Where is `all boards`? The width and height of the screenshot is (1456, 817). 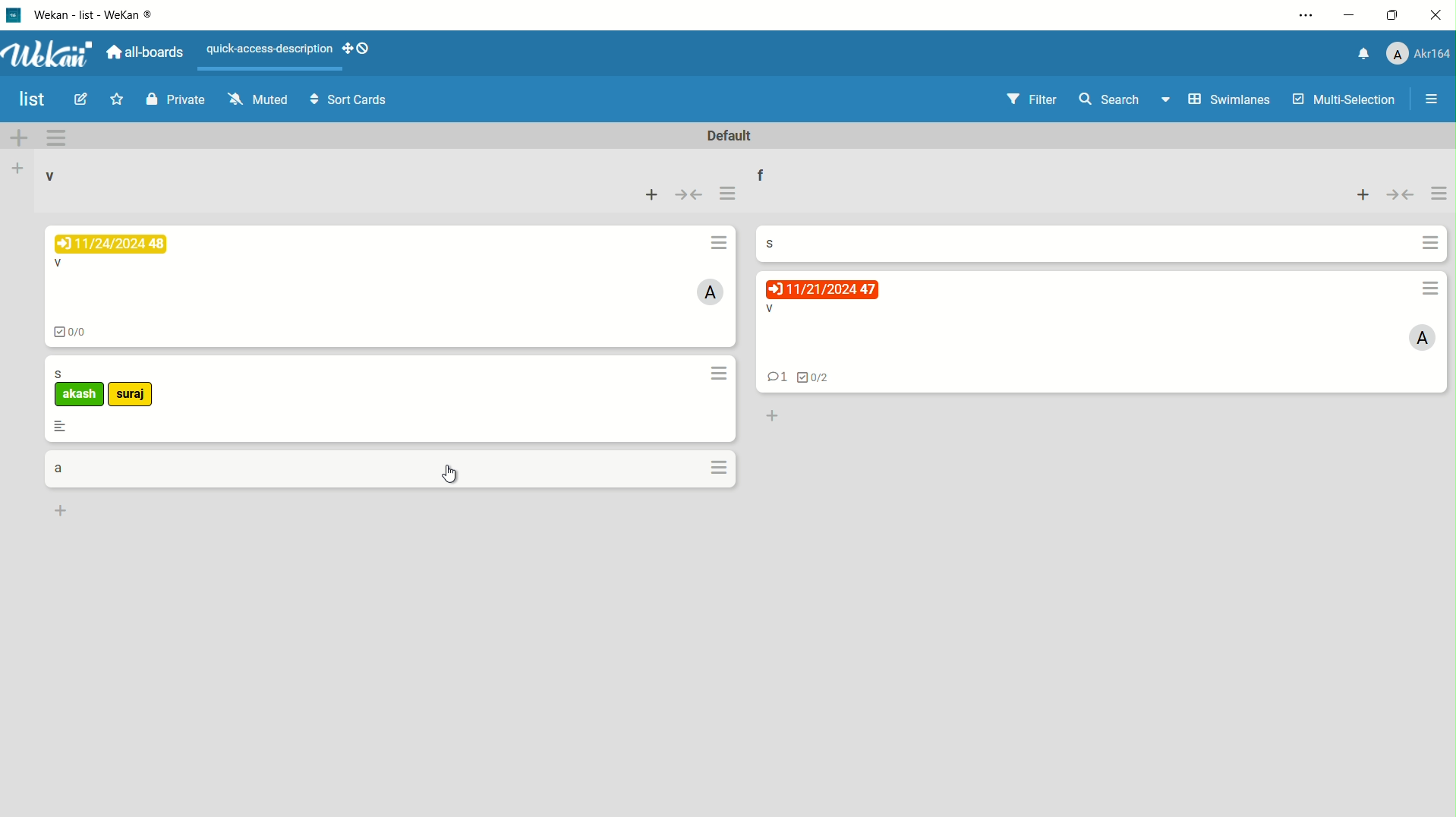
all boards is located at coordinates (148, 51).